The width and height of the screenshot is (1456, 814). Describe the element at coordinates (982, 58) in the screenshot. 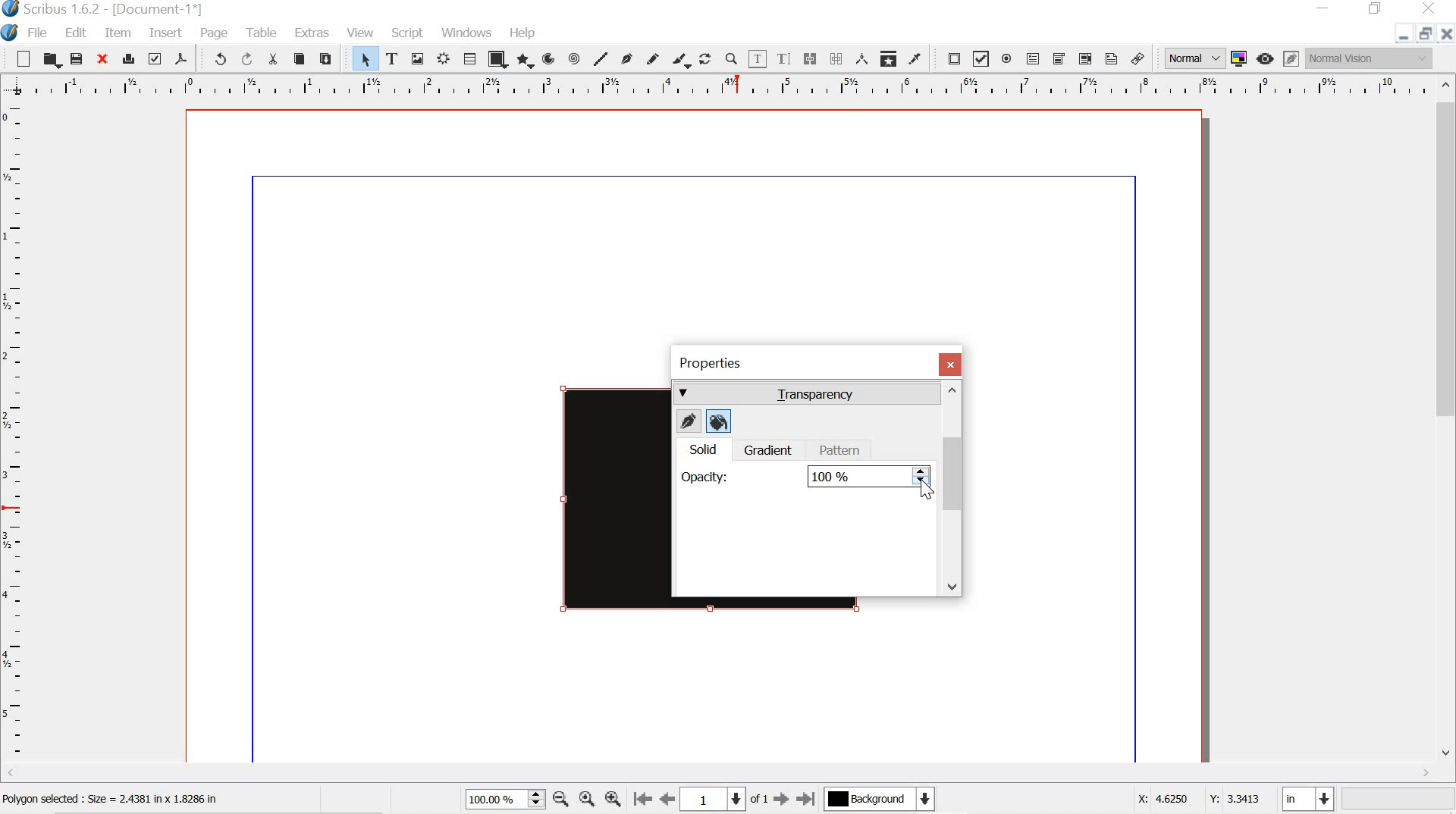

I see `pdf check box` at that location.